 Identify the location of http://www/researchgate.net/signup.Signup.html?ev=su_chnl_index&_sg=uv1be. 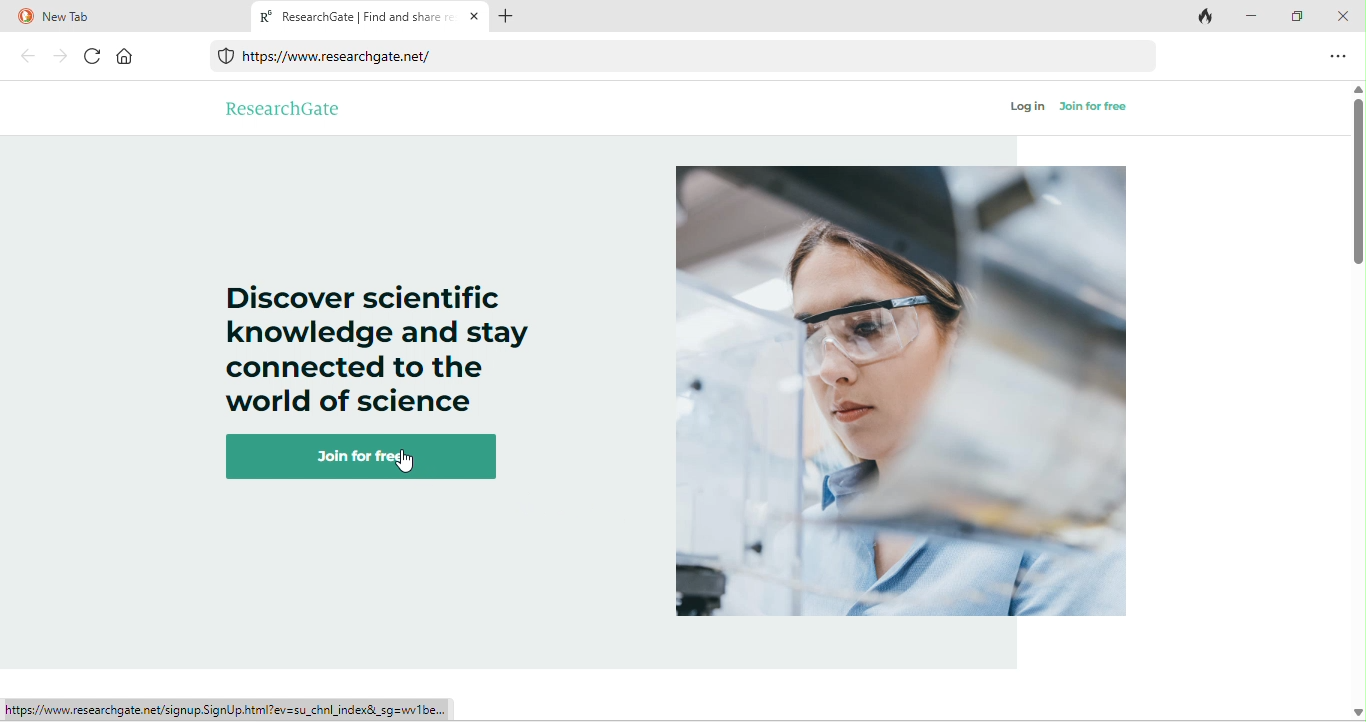
(227, 710).